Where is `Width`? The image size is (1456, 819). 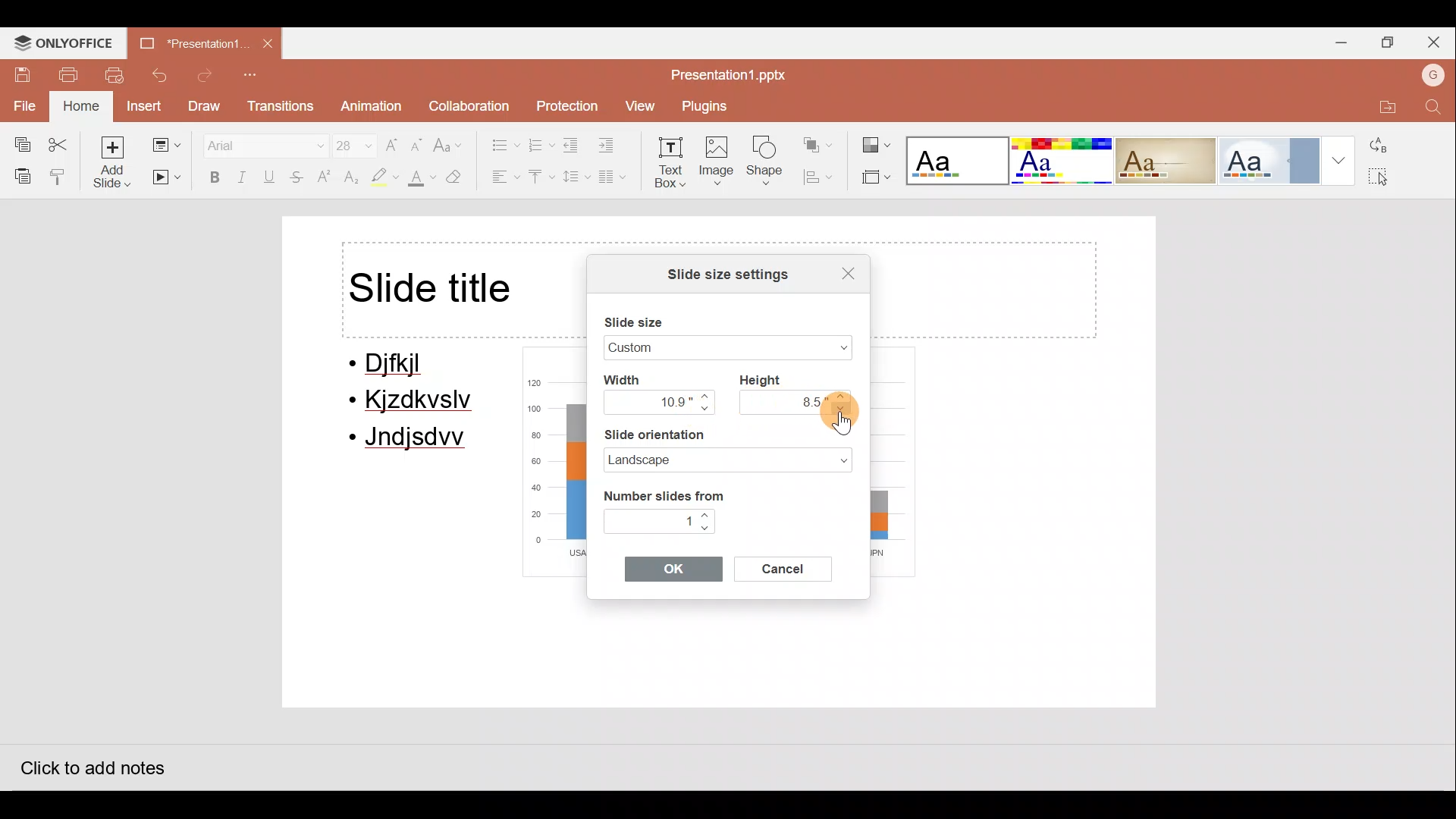 Width is located at coordinates (635, 378).